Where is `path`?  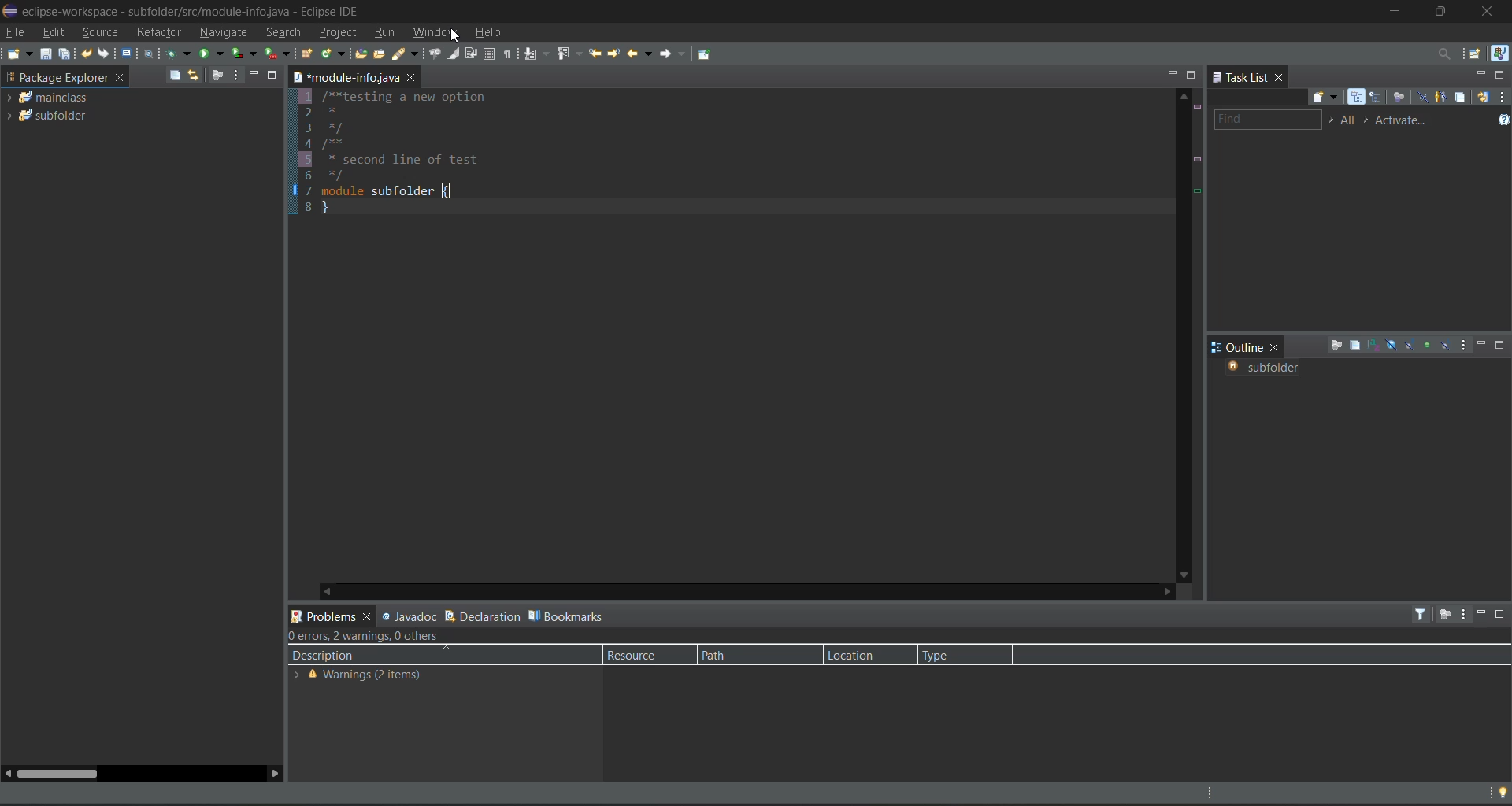
path is located at coordinates (740, 655).